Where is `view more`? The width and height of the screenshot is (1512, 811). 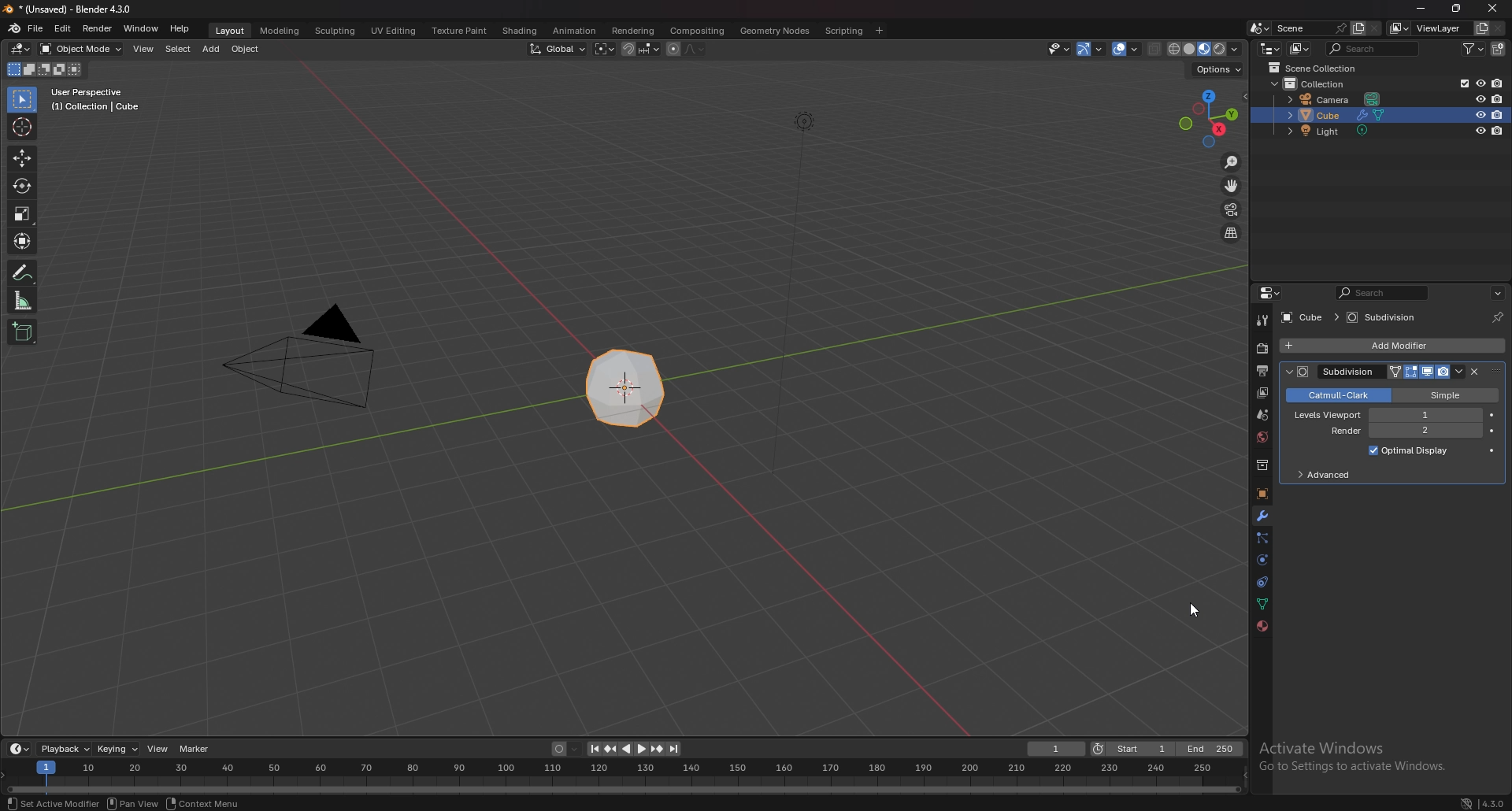 view more is located at coordinates (1495, 291).